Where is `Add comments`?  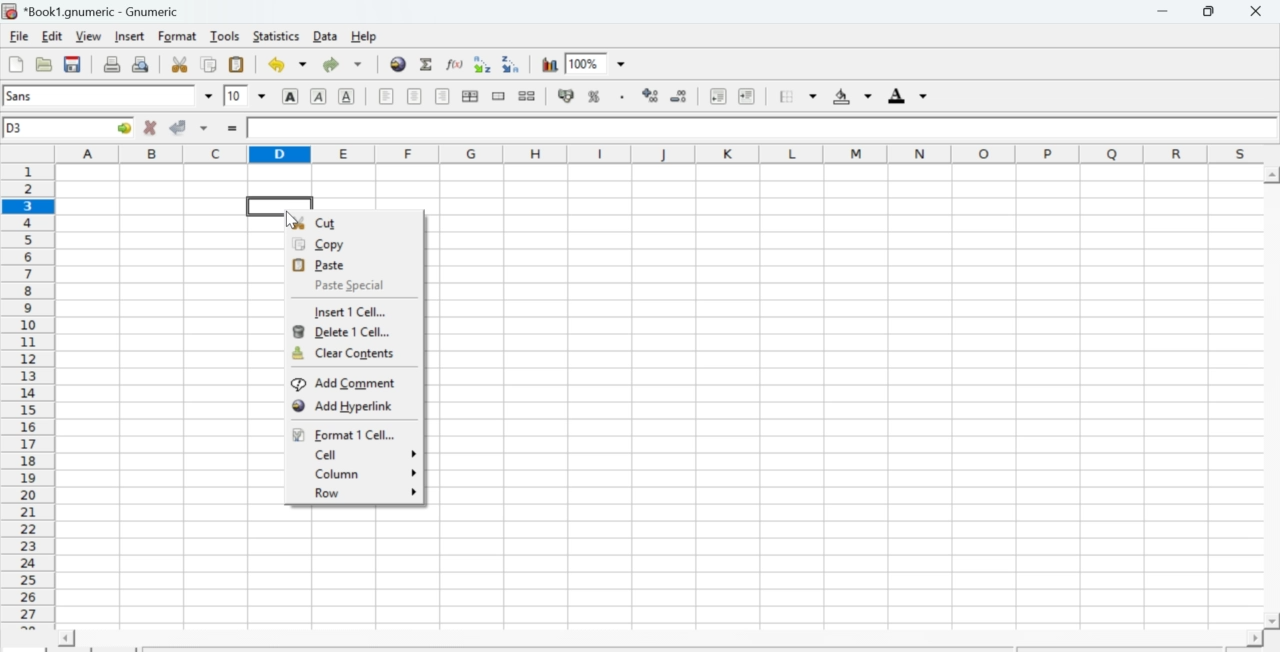 Add comments is located at coordinates (353, 384).